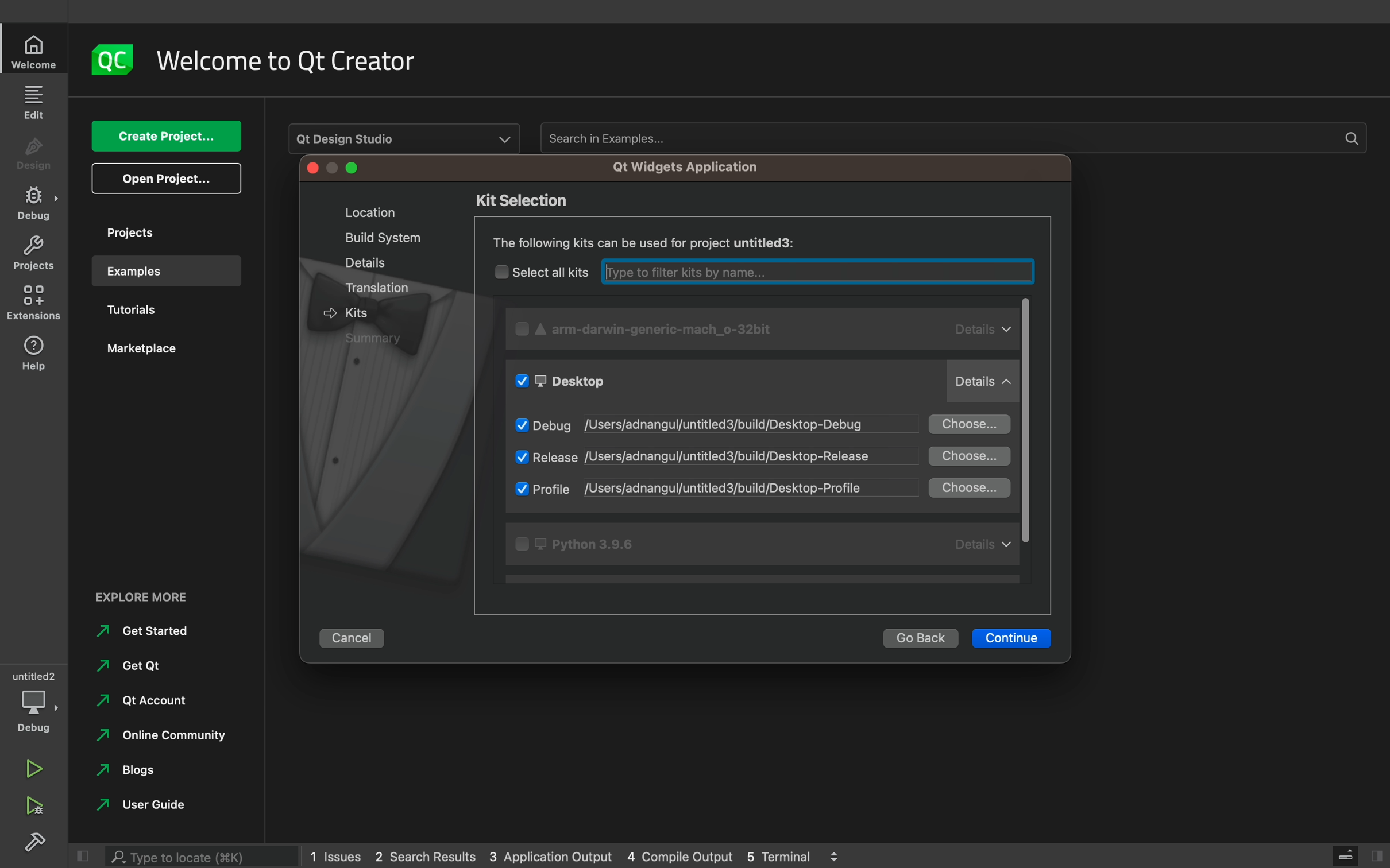 The image size is (1390, 868). What do you see at coordinates (772, 456) in the screenshot?
I see `Release: choose destination` at bounding box center [772, 456].